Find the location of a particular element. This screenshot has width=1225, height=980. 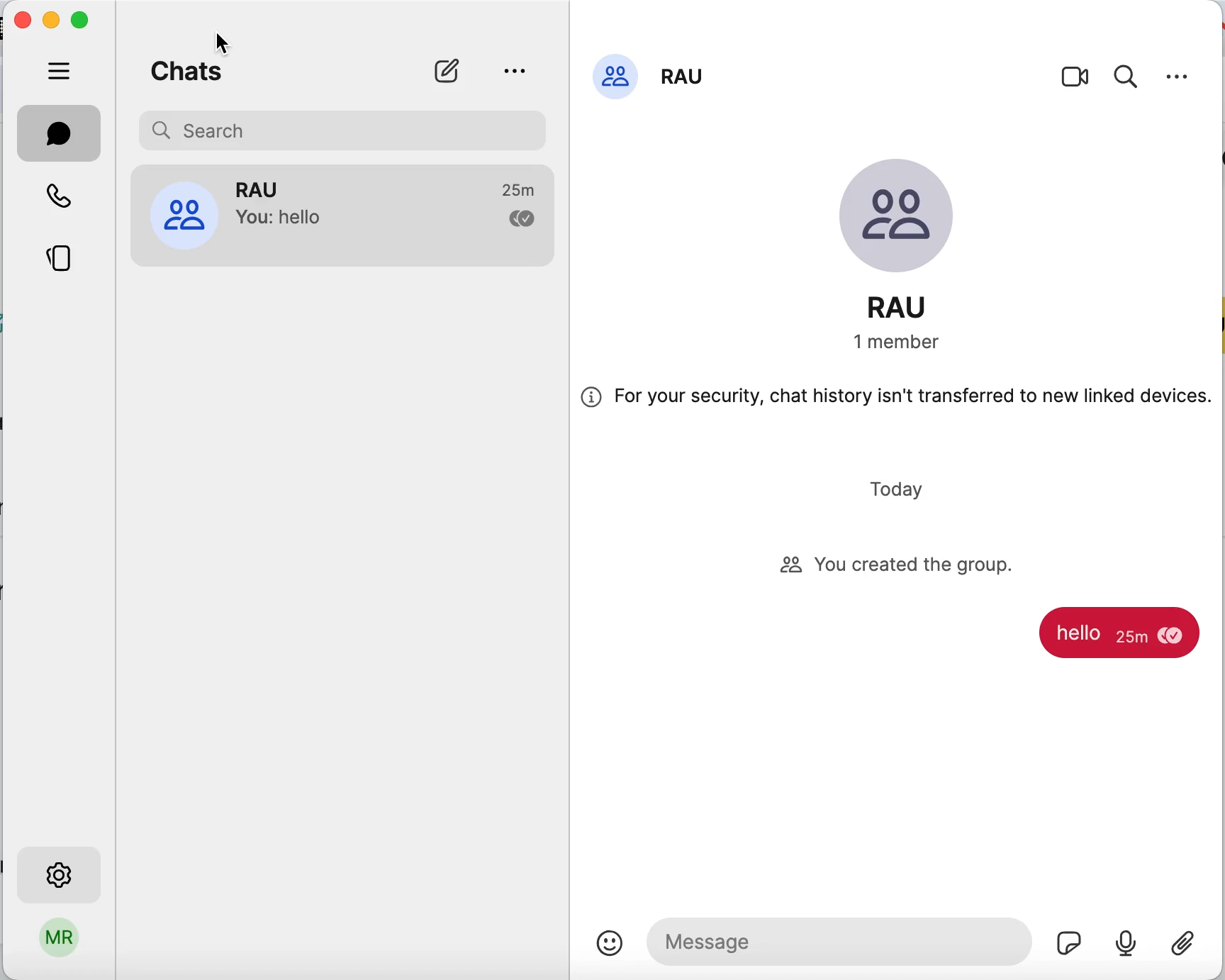

members is located at coordinates (902, 349).